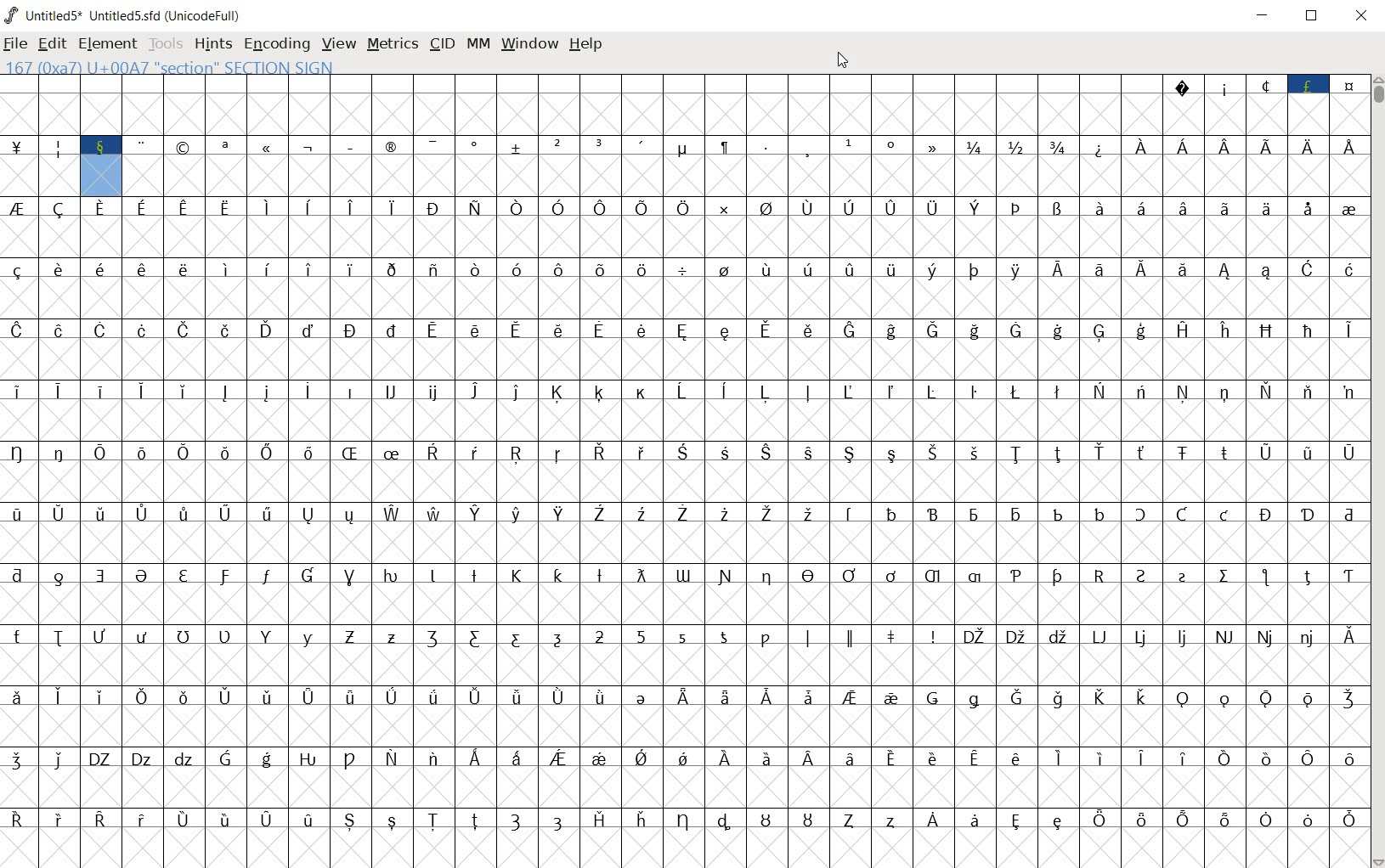 The width and height of the screenshot is (1385, 868). Describe the element at coordinates (1097, 718) in the screenshot. I see `special characters` at that location.